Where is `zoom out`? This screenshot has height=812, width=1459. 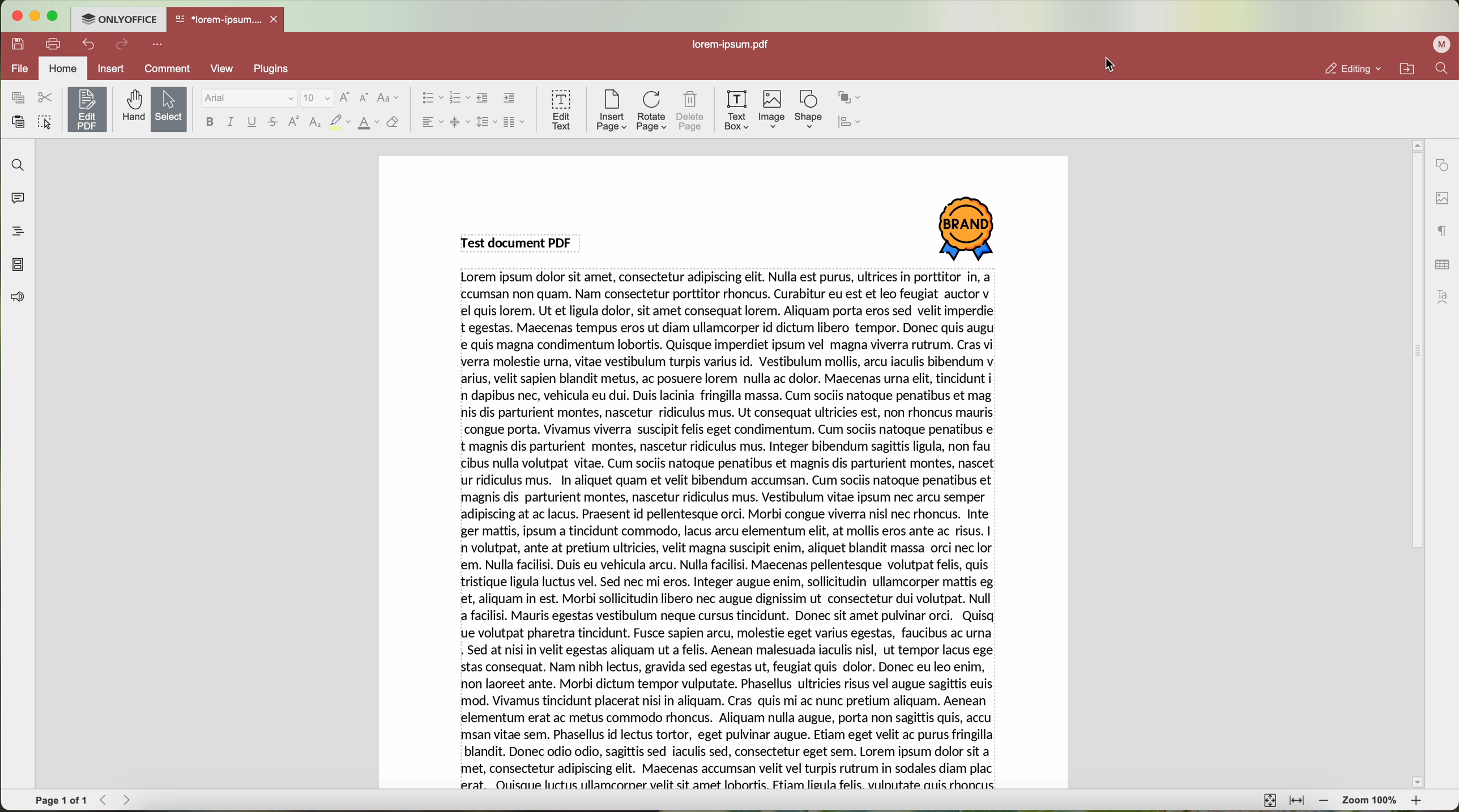 zoom out is located at coordinates (1324, 801).